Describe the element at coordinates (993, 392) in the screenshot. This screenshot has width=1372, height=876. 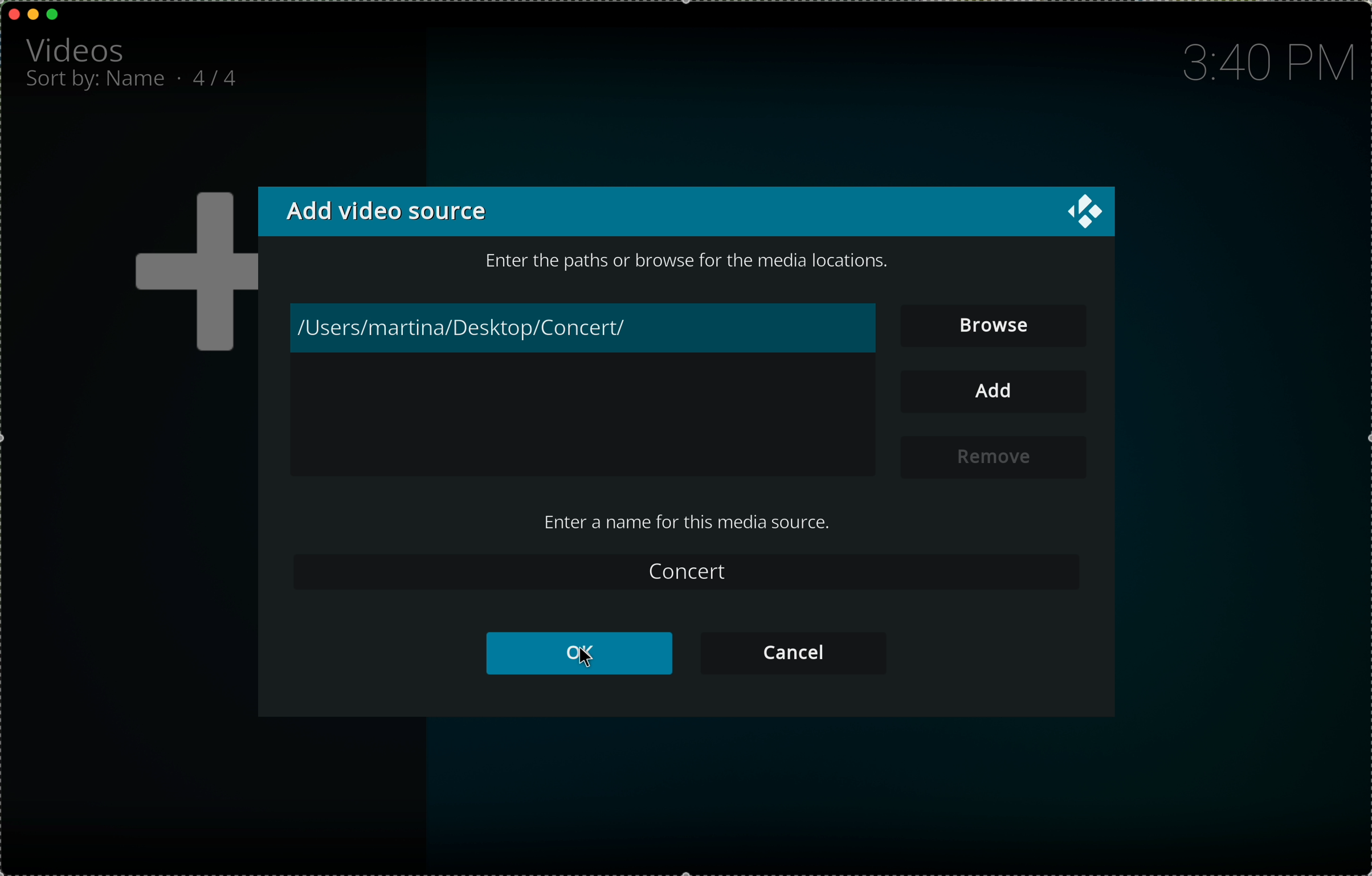
I see `add` at that location.